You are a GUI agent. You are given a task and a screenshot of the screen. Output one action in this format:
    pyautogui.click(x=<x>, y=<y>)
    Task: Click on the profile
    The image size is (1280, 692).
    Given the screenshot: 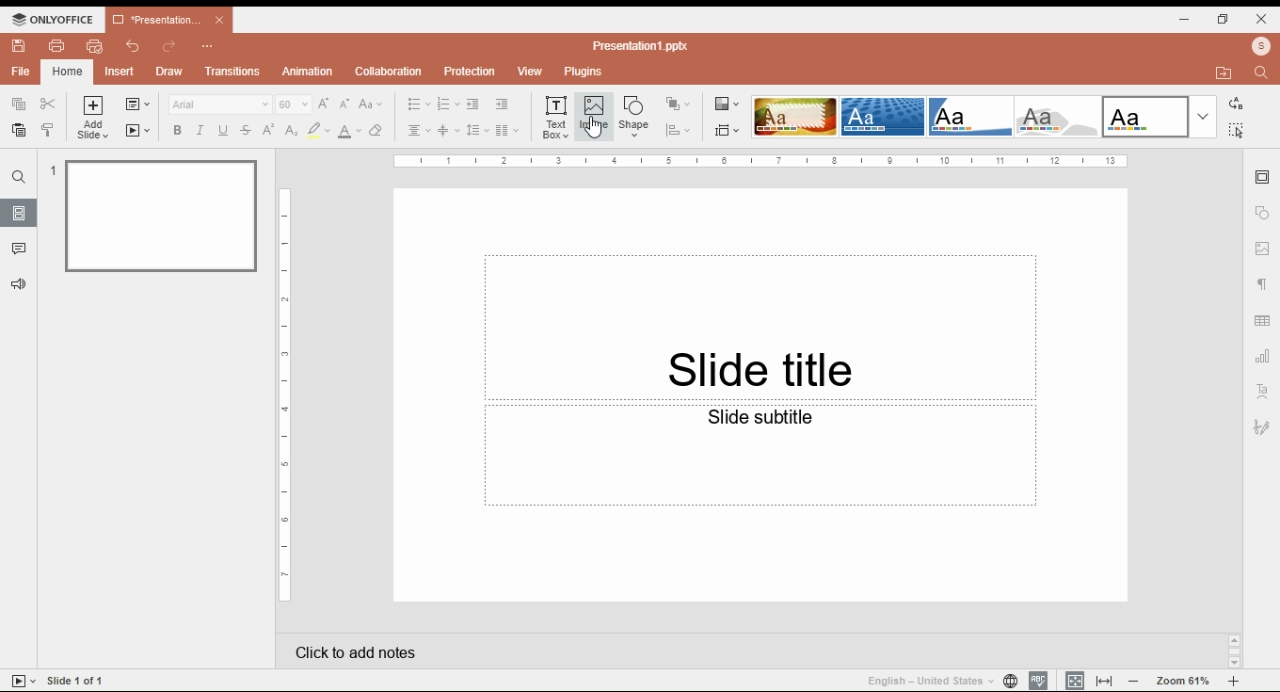 What is the action you would take?
    pyautogui.click(x=1261, y=48)
    